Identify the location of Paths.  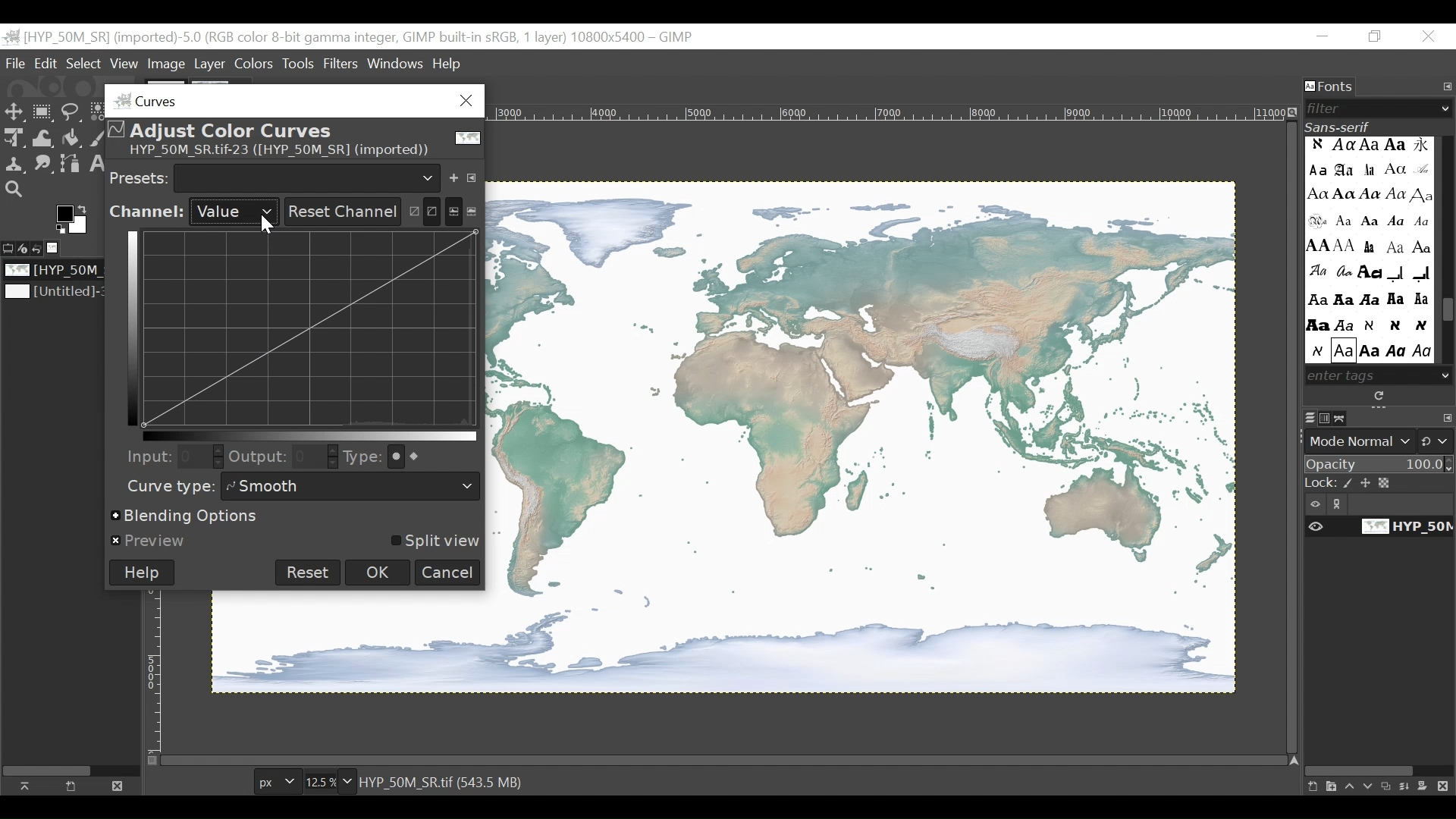
(1345, 418).